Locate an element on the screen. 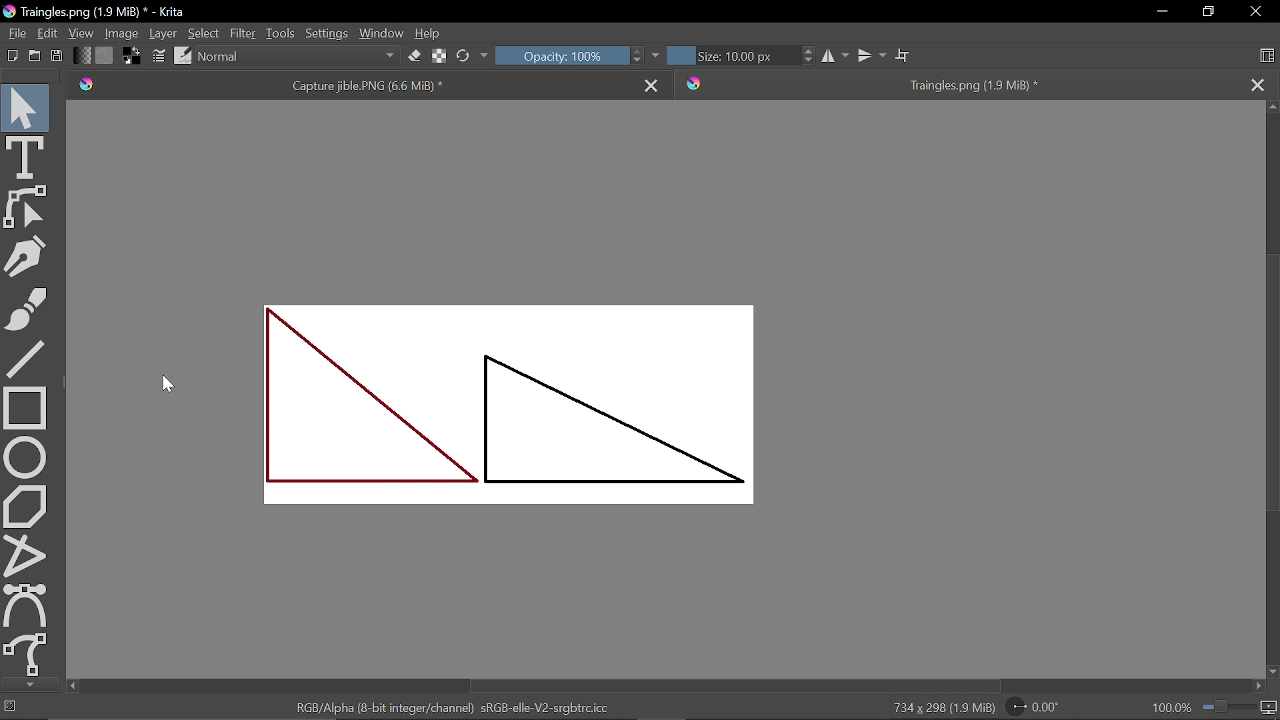 The height and width of the screenshot is (720, 1280). Edit is located at coordinates (49, 32).